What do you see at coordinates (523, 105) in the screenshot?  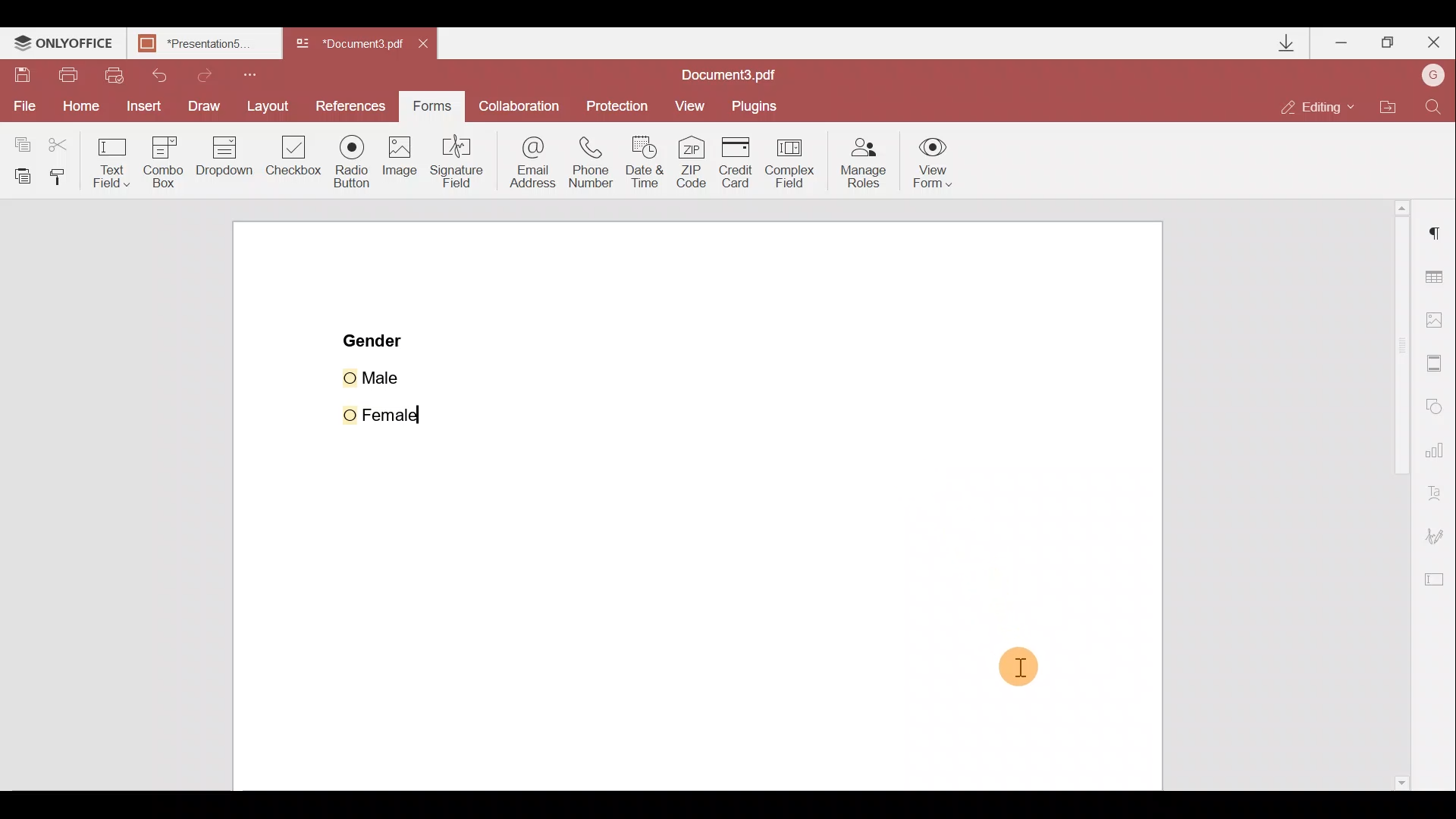 I see `Collaboration` at bounding box center [523, 105].